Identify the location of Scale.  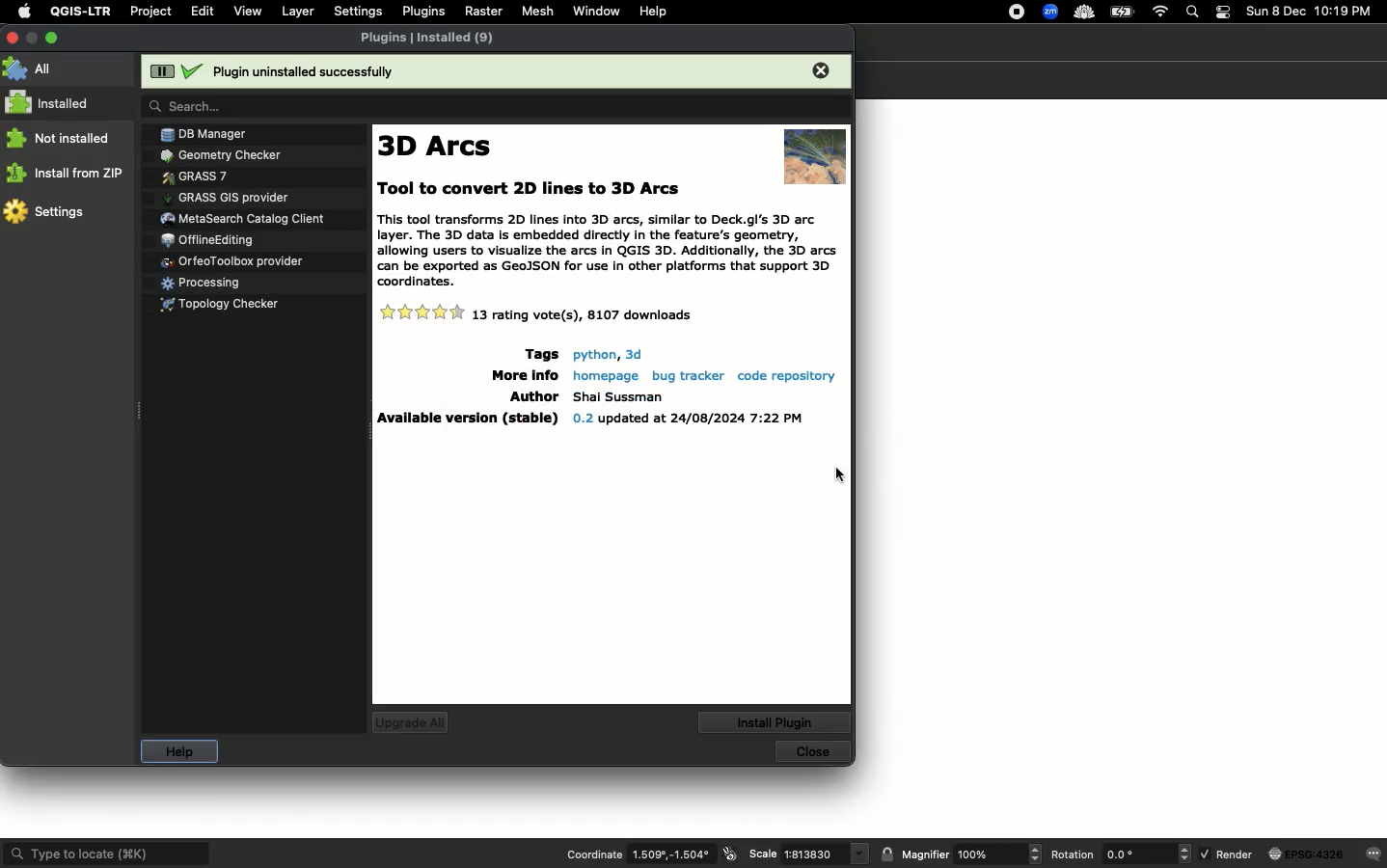
(805, 854).